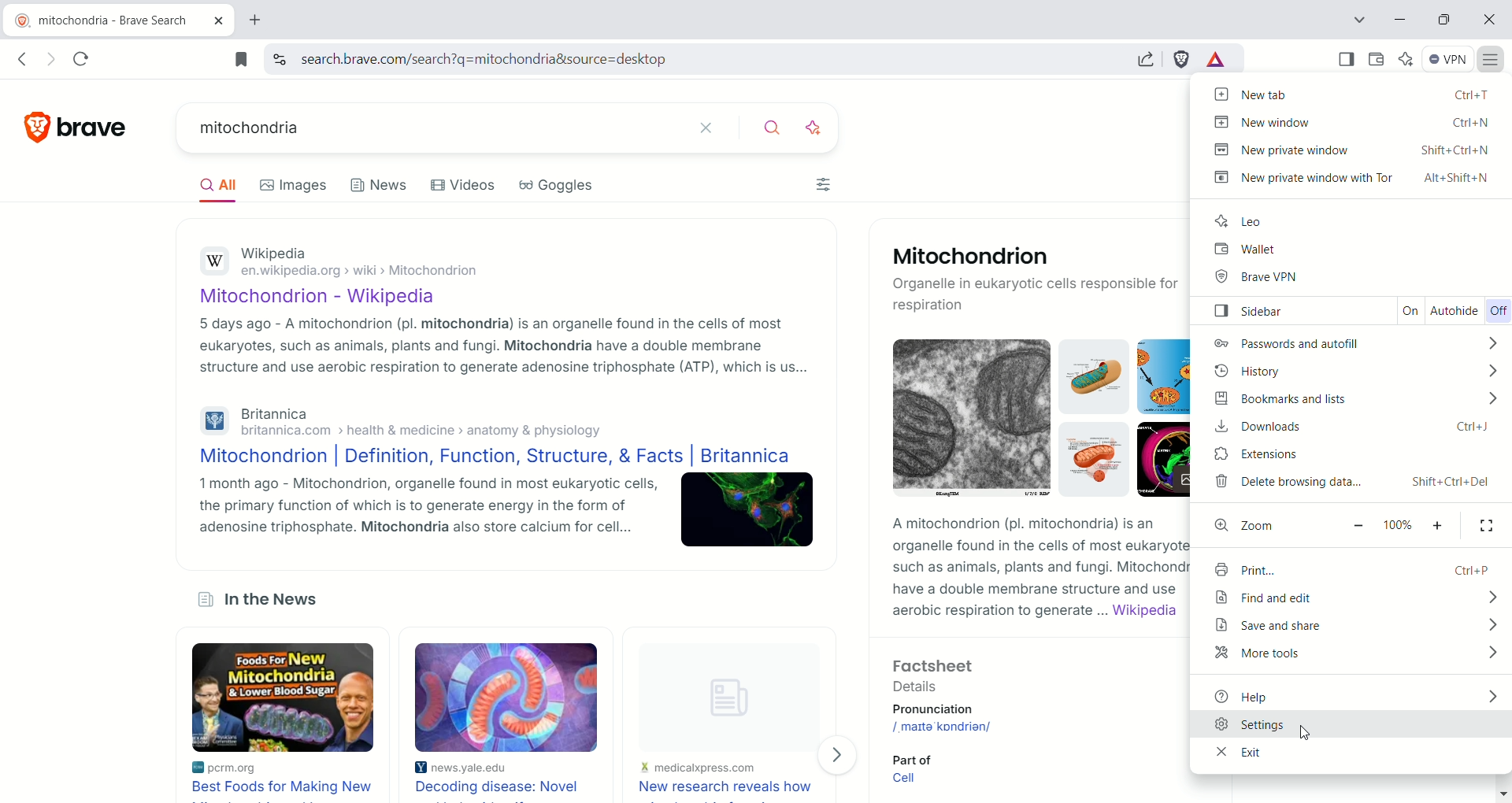 This screenshot has width=1512, height=803. I want to click on help, so click(1357, 694).